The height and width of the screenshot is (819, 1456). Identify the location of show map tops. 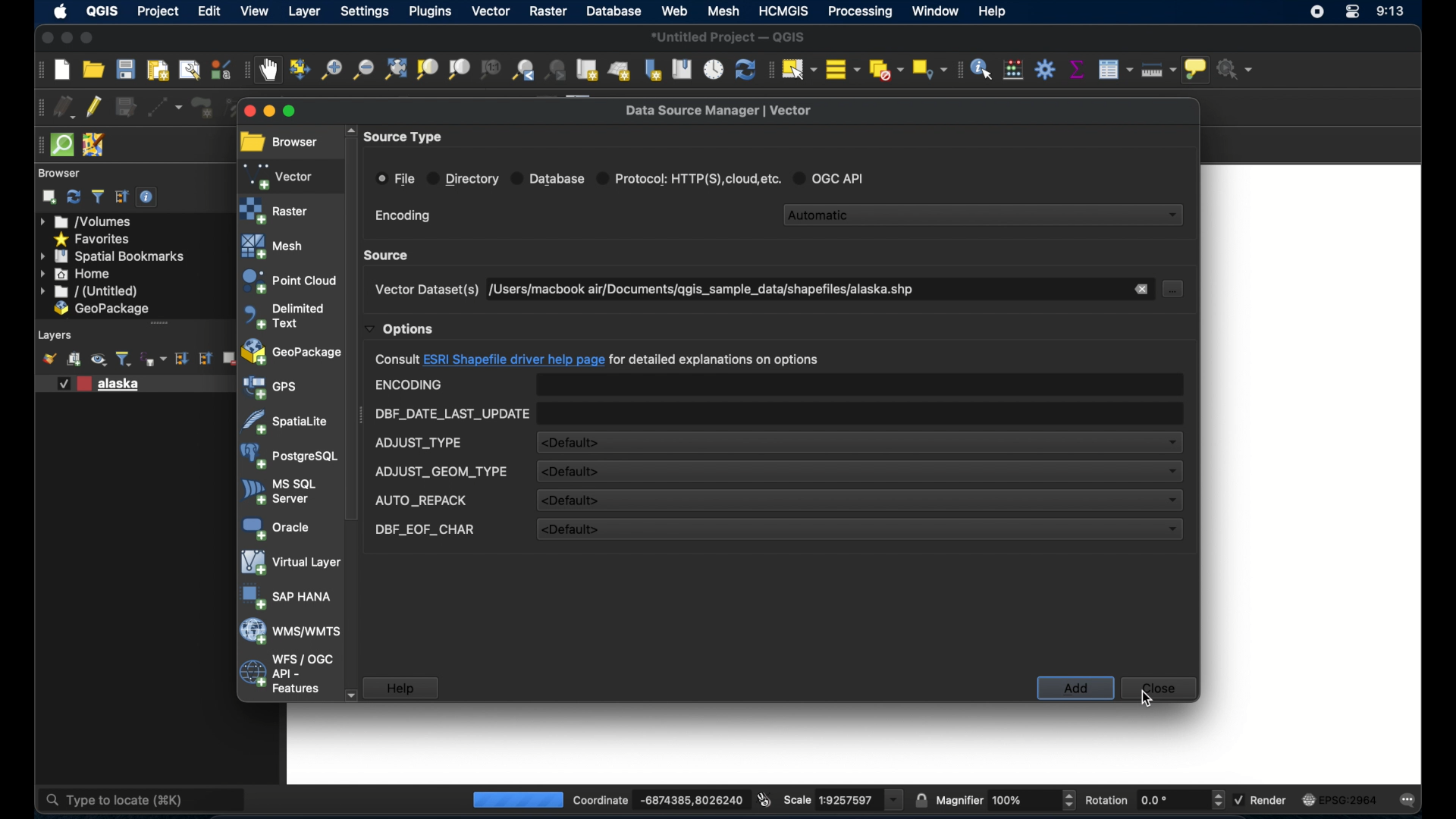
(1199, 70).